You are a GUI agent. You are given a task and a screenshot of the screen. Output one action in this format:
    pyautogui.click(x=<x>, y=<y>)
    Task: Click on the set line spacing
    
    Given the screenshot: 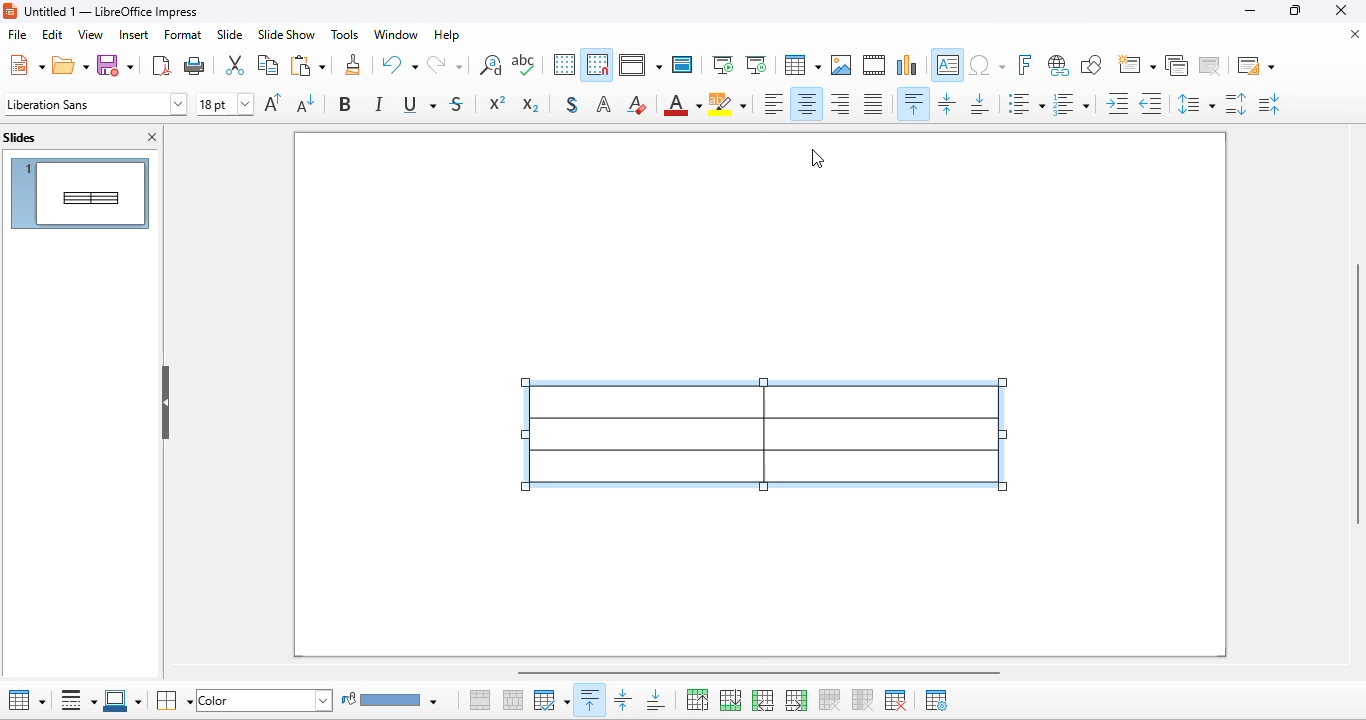 What is the action you would take?
    pyautogui.click(x=1195, y=103)
    